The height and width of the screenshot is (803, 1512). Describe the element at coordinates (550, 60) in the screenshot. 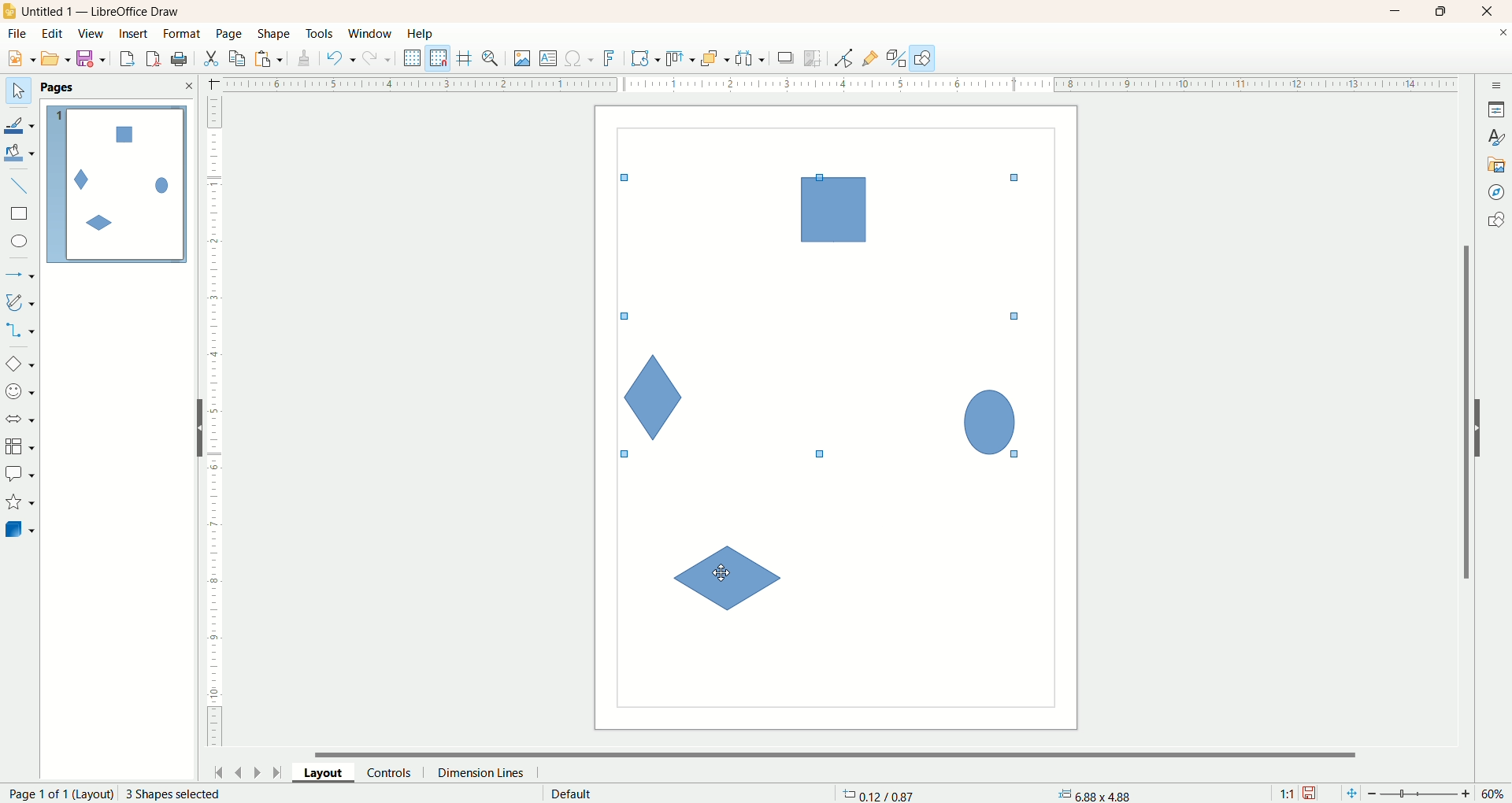

I see `text box` at that location.